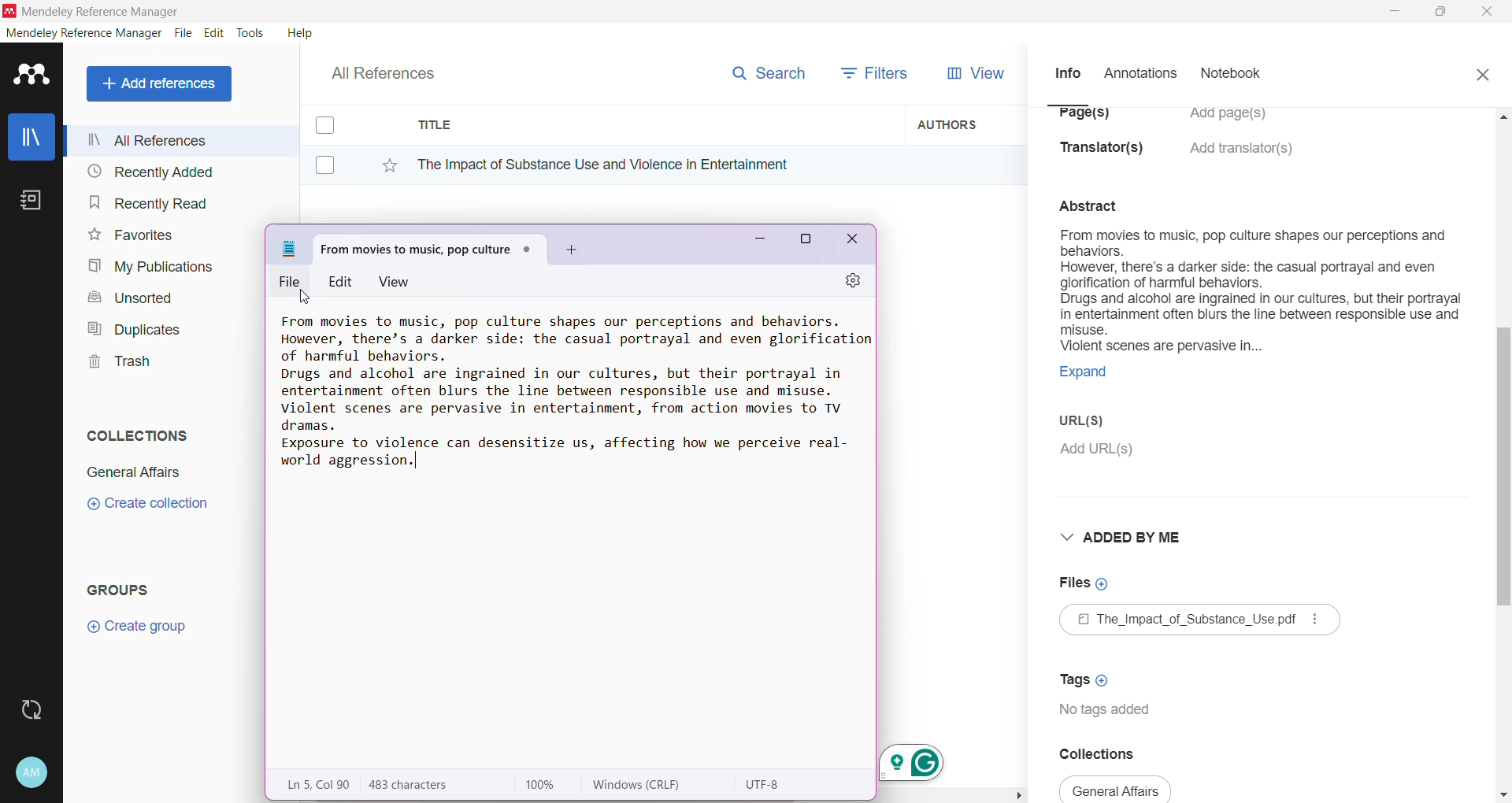 This screenshot has height=803, width=1512. Describe the element at coordinates (1098, 204) in the screenshot. I see `abstract` at that location.